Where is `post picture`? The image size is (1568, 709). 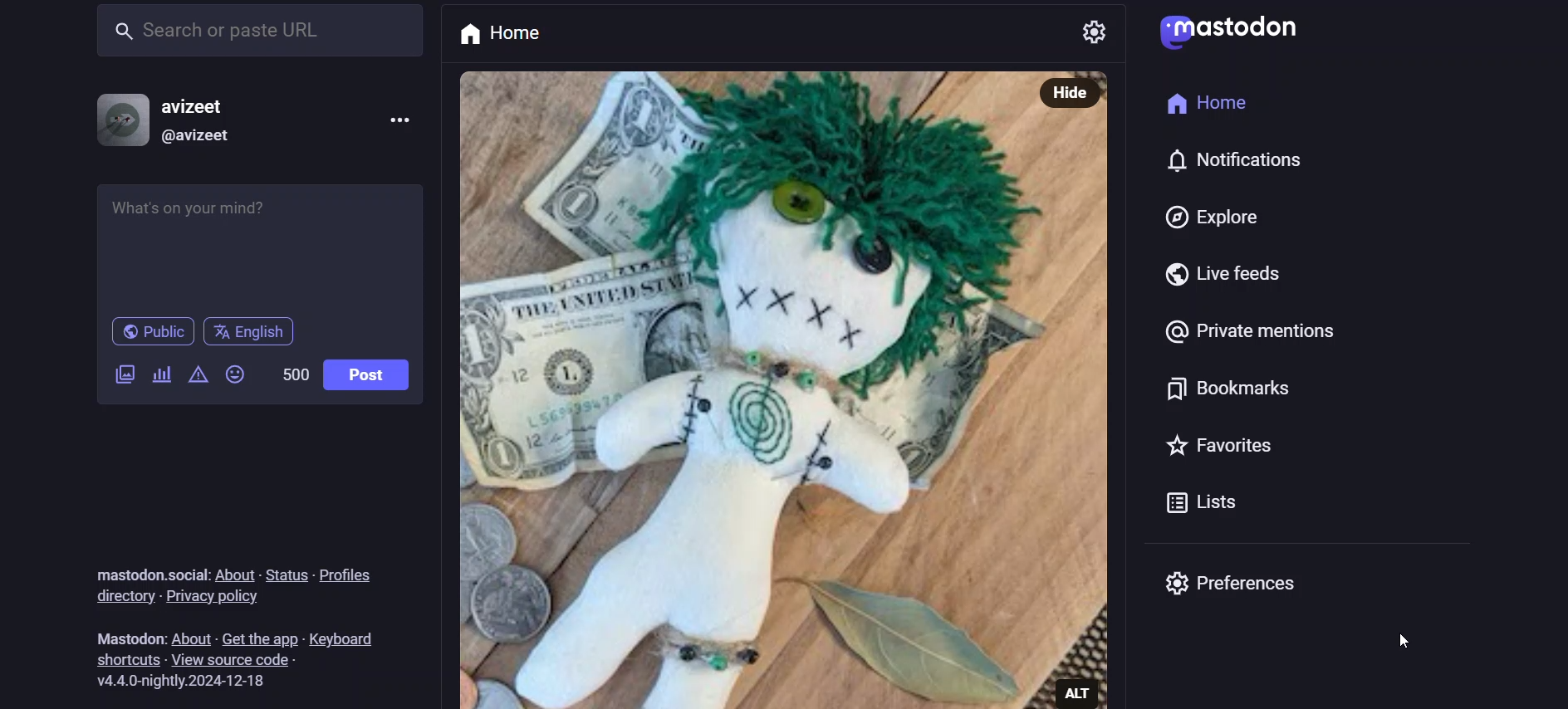
post picture is located at coordinates (1066, 394).